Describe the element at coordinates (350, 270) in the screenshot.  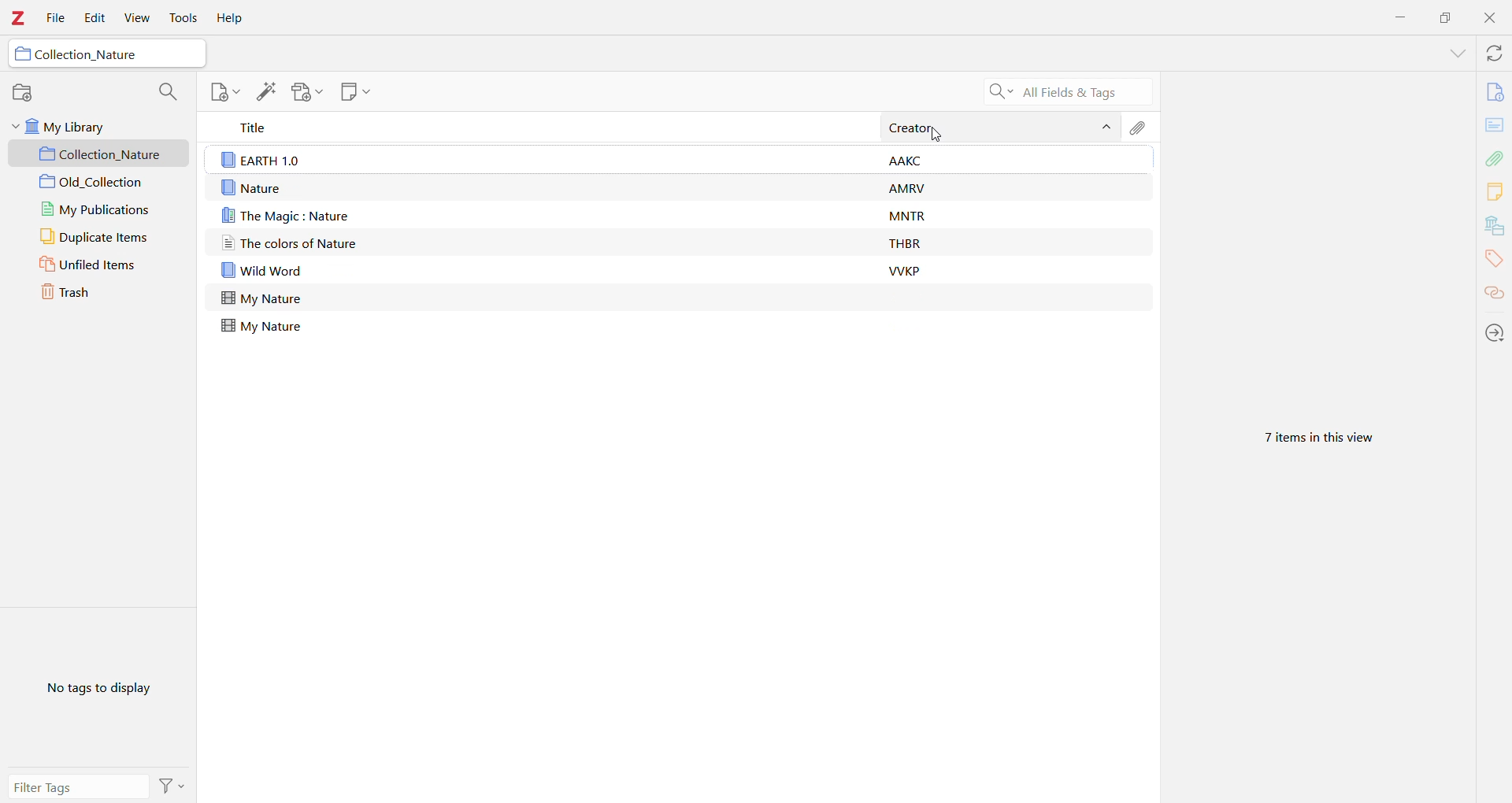
I see `Wild Word` at that location.